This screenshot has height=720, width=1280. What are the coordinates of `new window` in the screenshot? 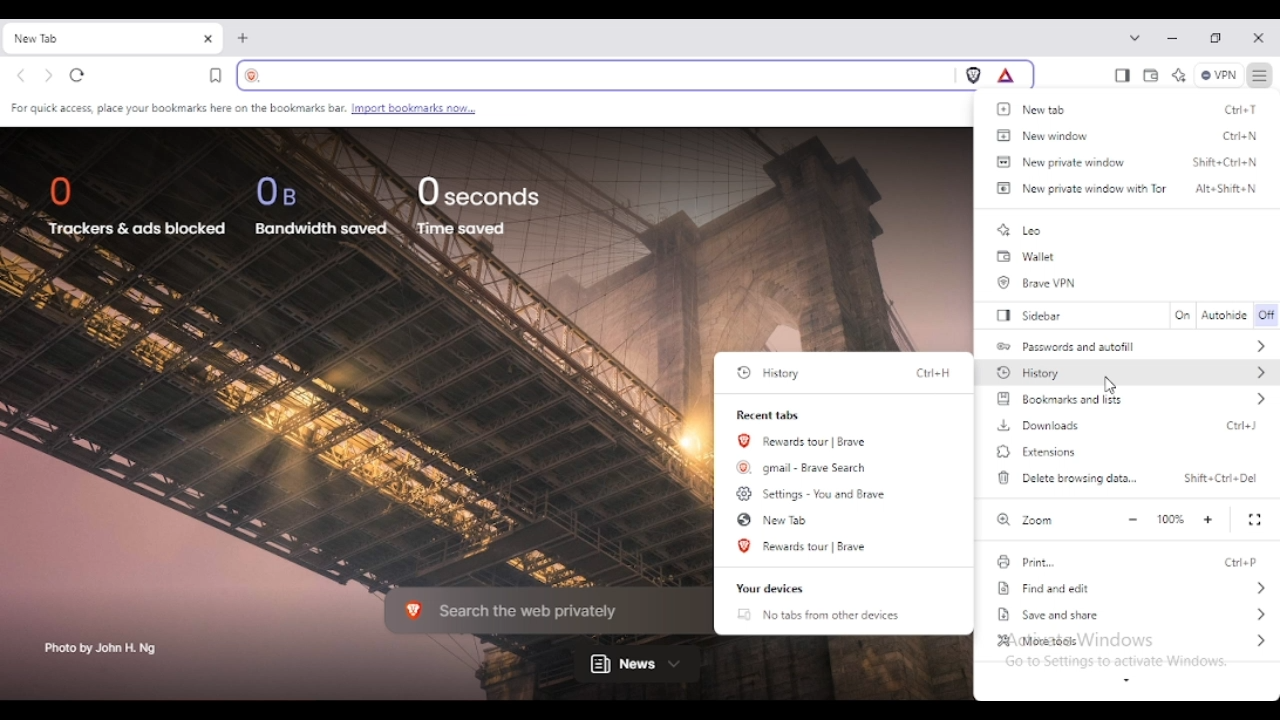 It's located at (1041, 135).